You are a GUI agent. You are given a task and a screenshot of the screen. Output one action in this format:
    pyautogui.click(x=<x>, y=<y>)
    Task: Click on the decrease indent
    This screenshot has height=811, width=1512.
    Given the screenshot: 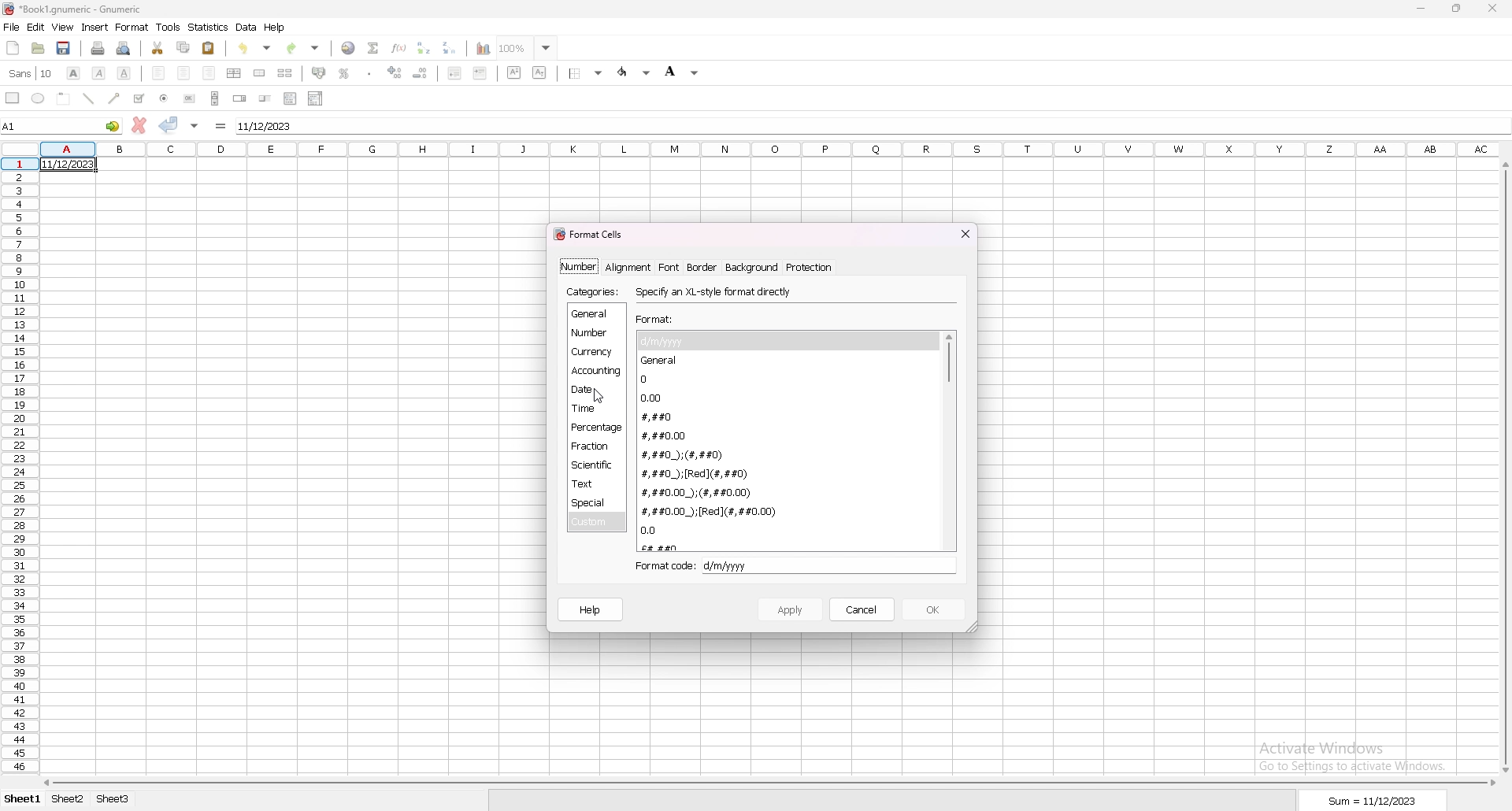 What is the action you would take?
    pyautogui.click(x=455, y=72)
    